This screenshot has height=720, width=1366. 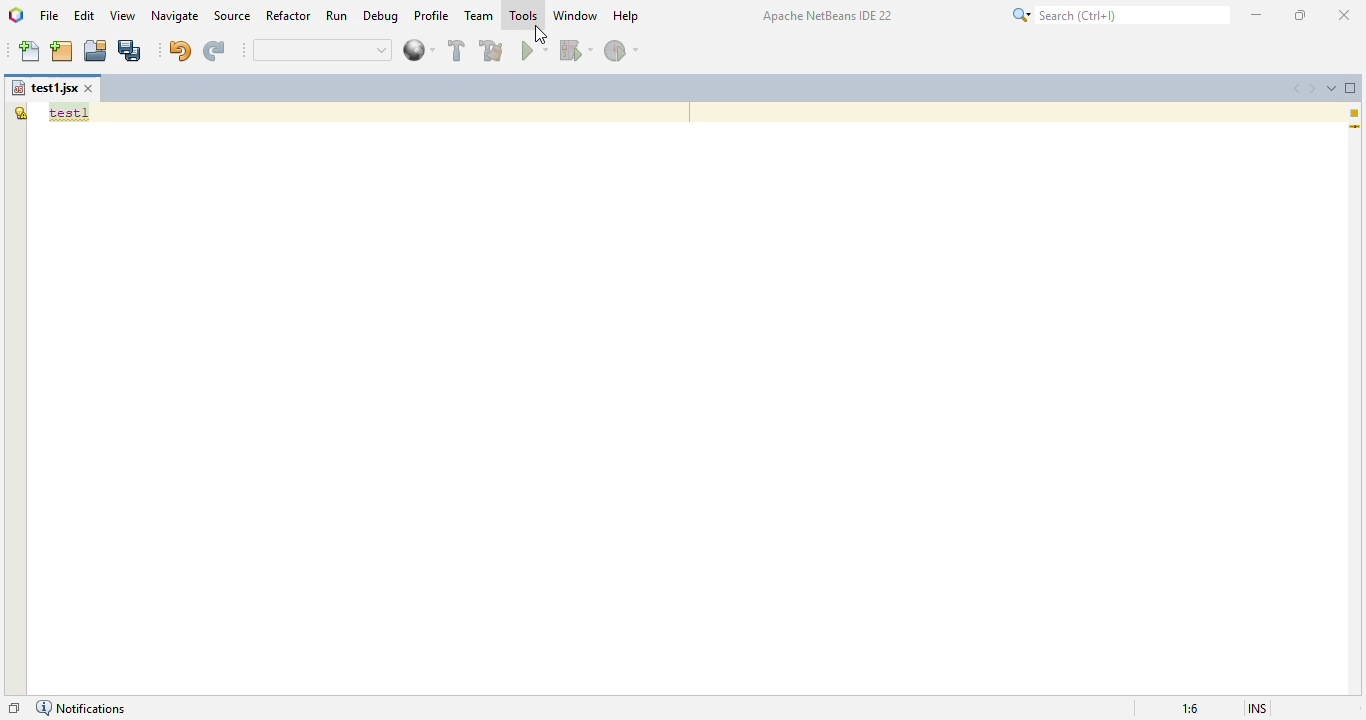 What do you see at coordinates (324, 50) in the screenshot?
I see `quick search bar` at bounding box center [324, 50].